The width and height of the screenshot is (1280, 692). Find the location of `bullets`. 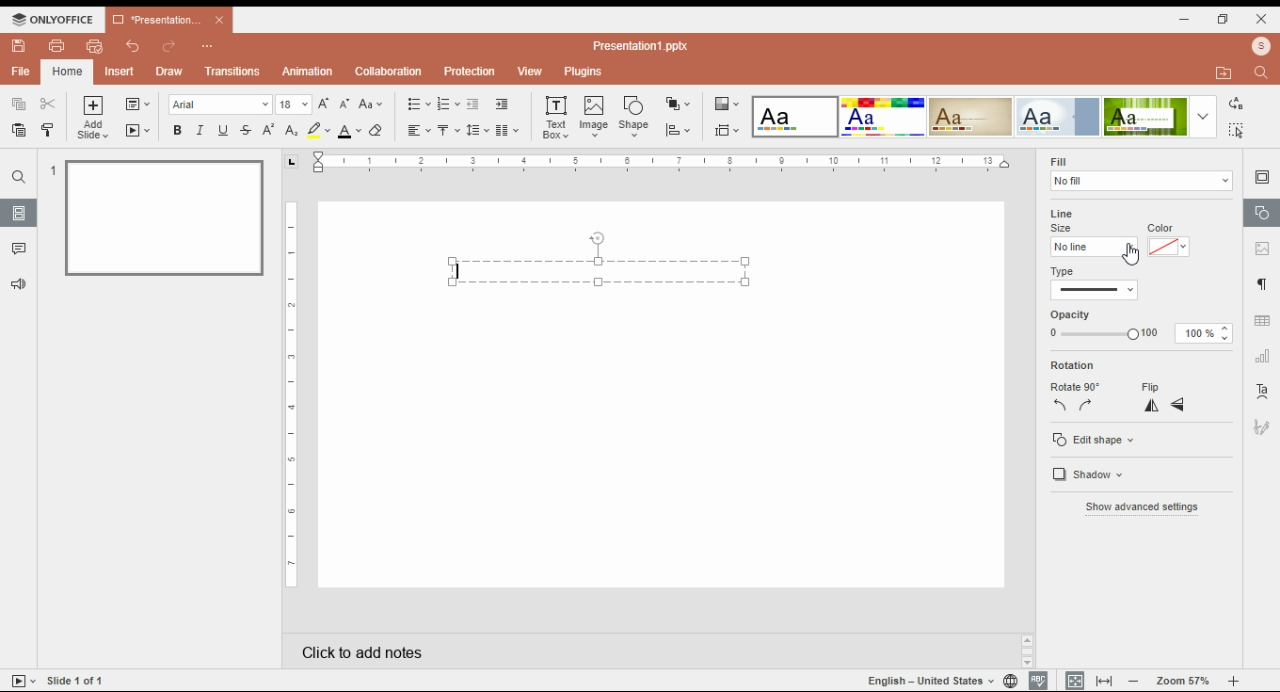

bullets is located at coordinates (418, 103).